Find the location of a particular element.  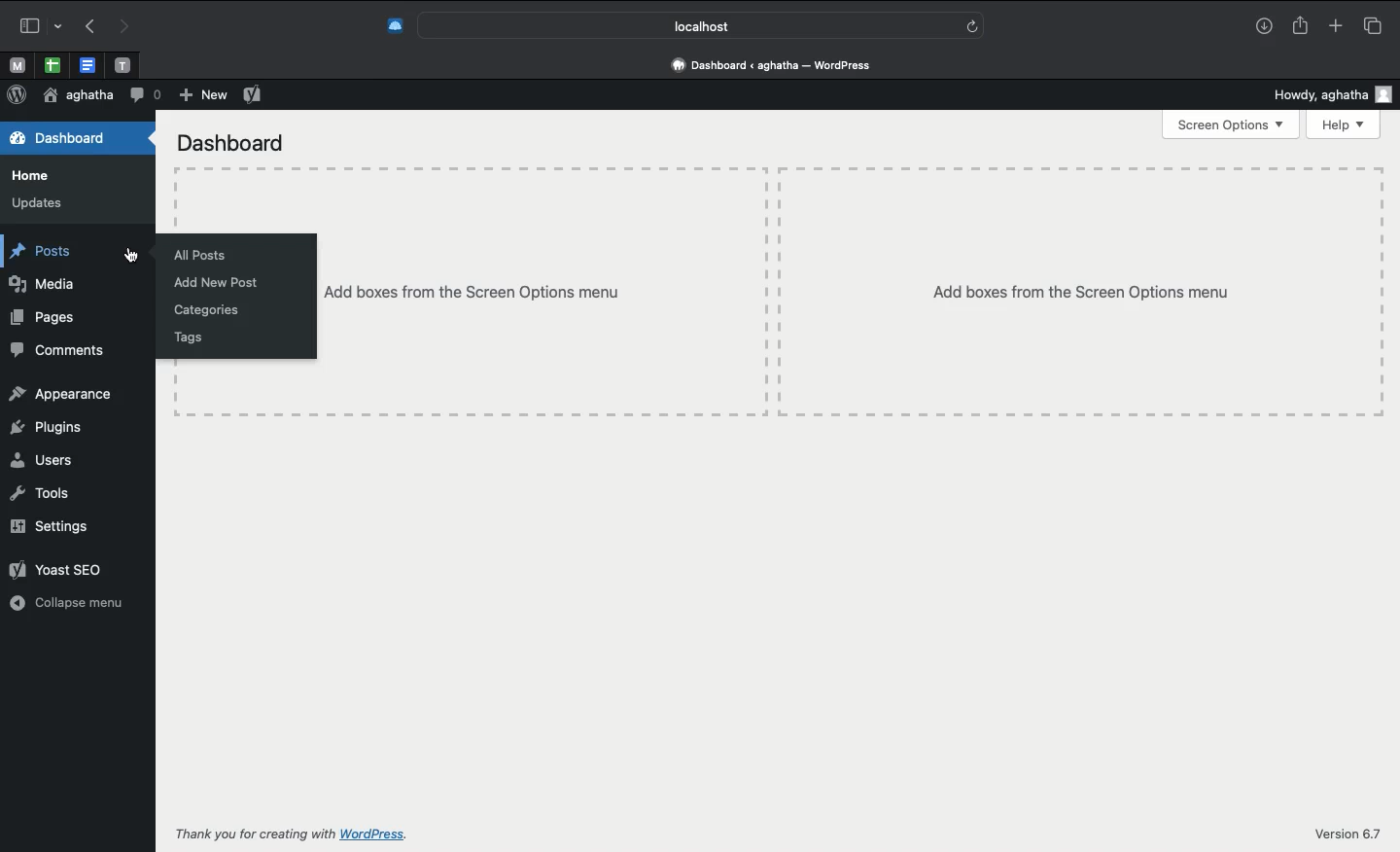

Search bar is located at coordinates (701, 25).